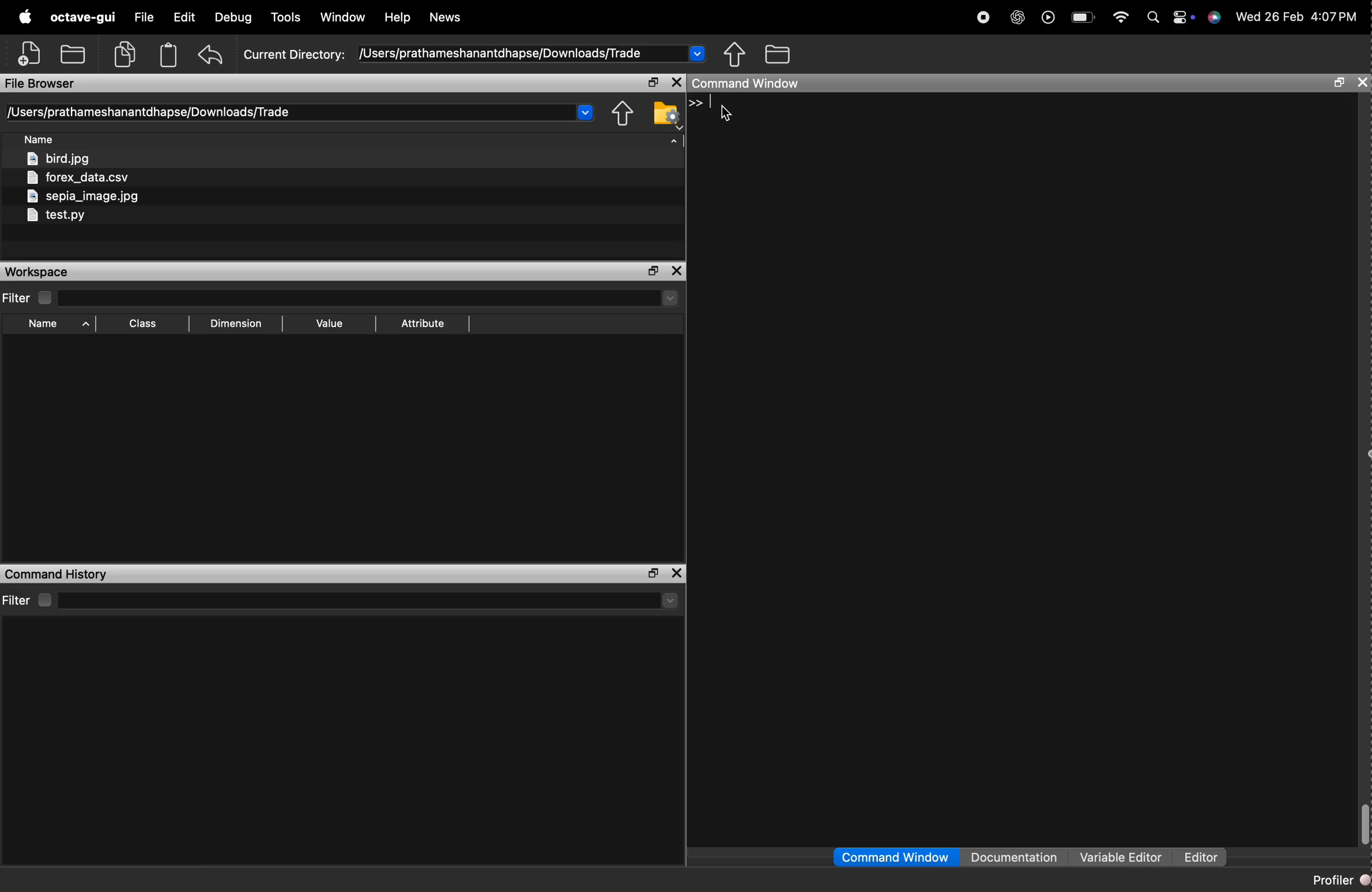 The width and height of the screenshot is (1372, 892). I want to click on close, so click(678, 273).